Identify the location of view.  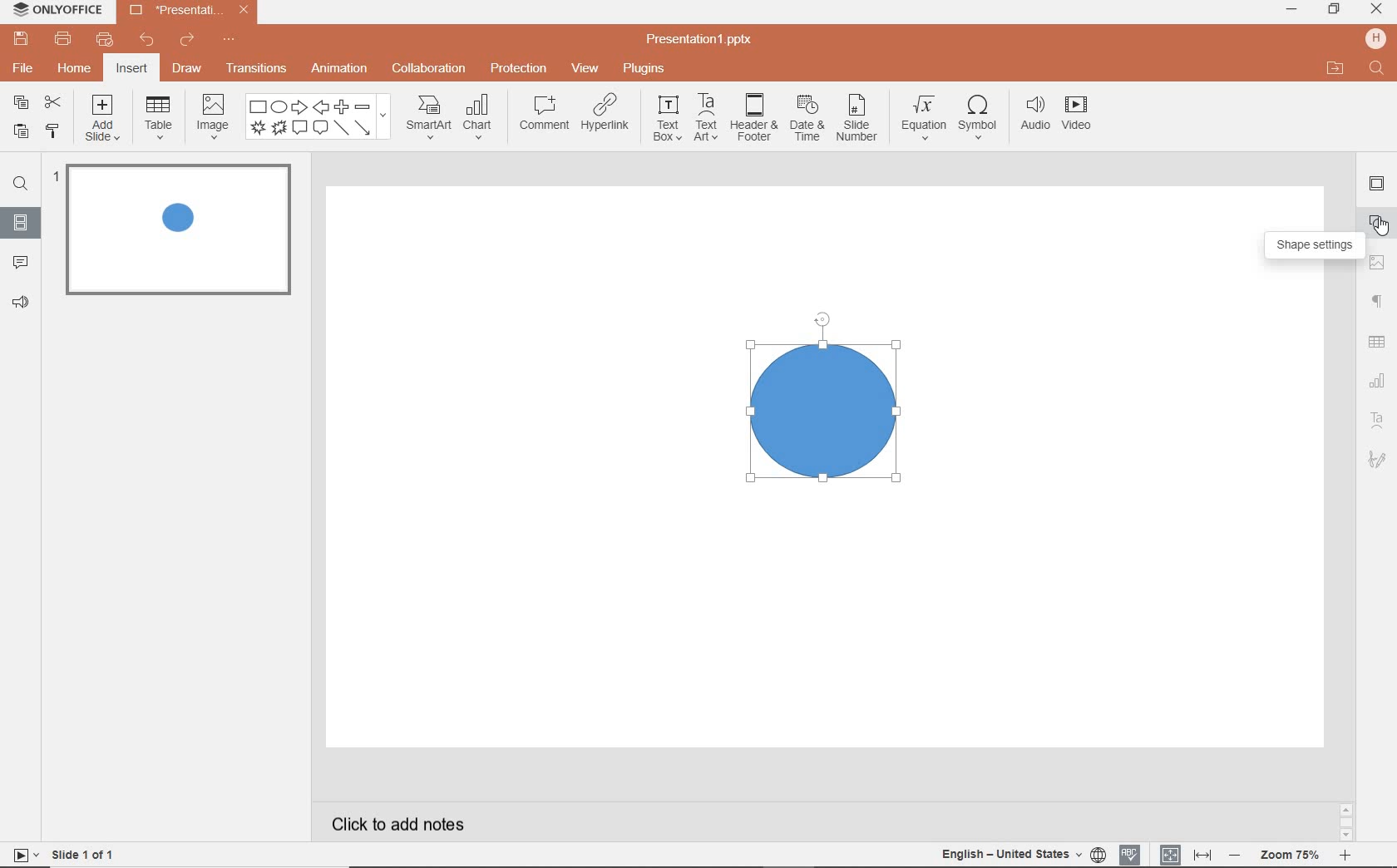
(584, 70).